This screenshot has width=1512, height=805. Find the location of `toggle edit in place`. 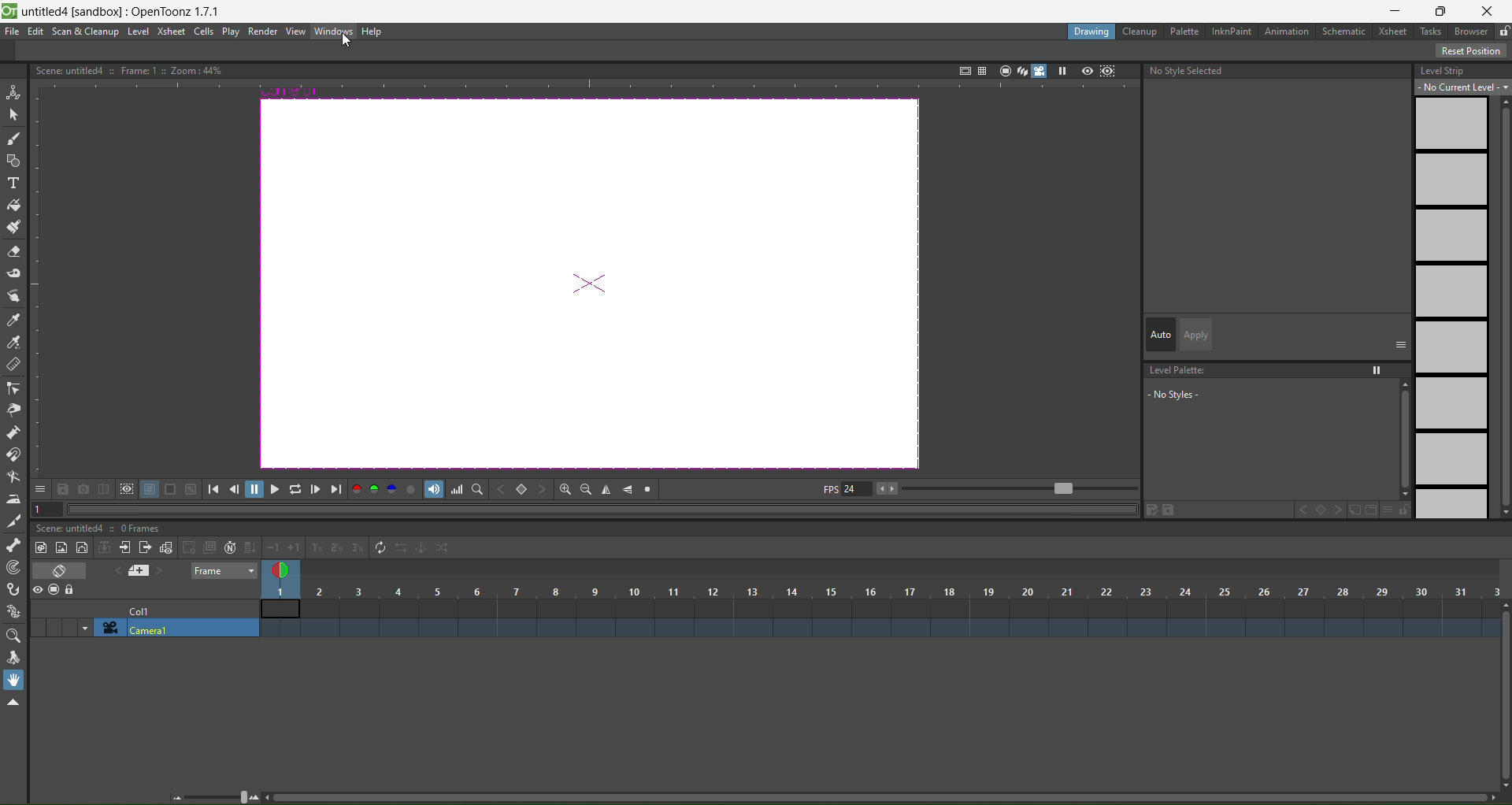

toggle edit in place is located at coordinates (165, 547).